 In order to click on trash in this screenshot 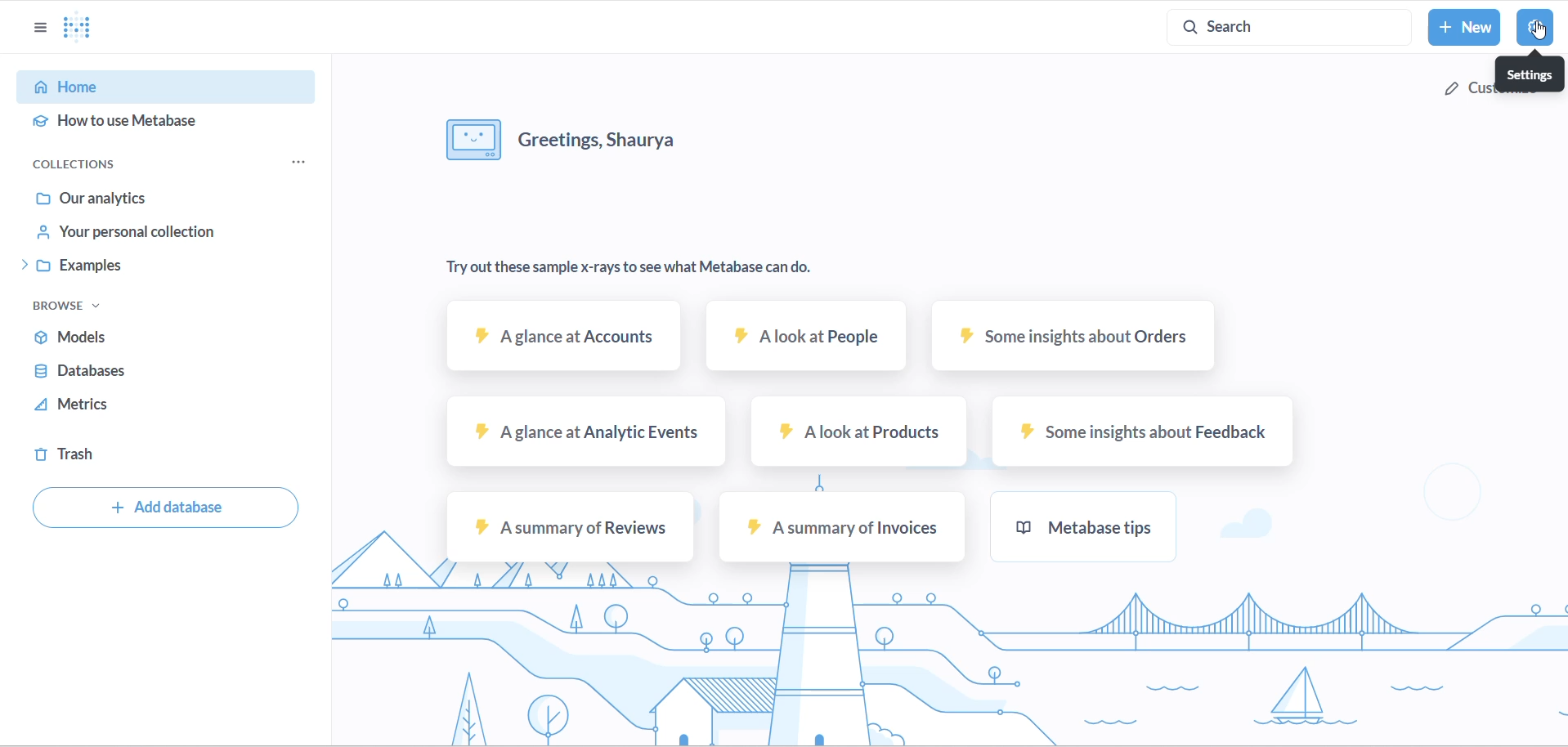, I will do `click(99, 457)`.